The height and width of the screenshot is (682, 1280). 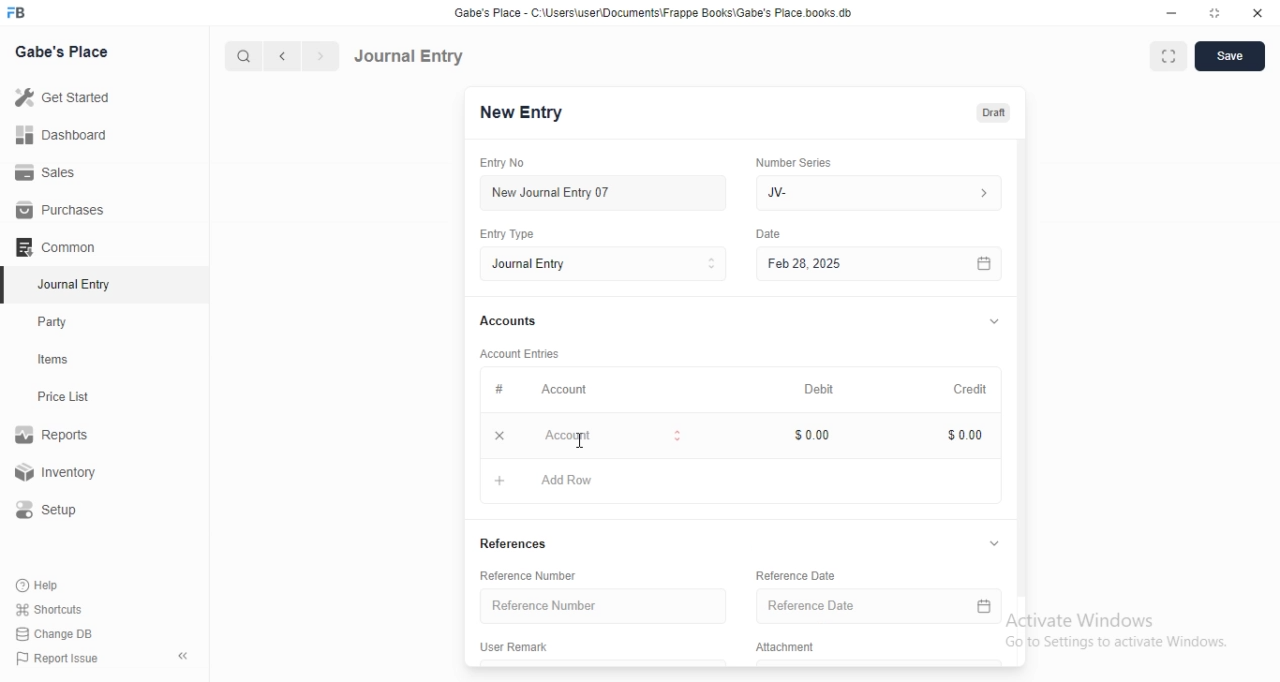 What do you see at coordinates (55, 658) in the screenshot?
I see `‘Report Issue` at bounding box center [55, 658].